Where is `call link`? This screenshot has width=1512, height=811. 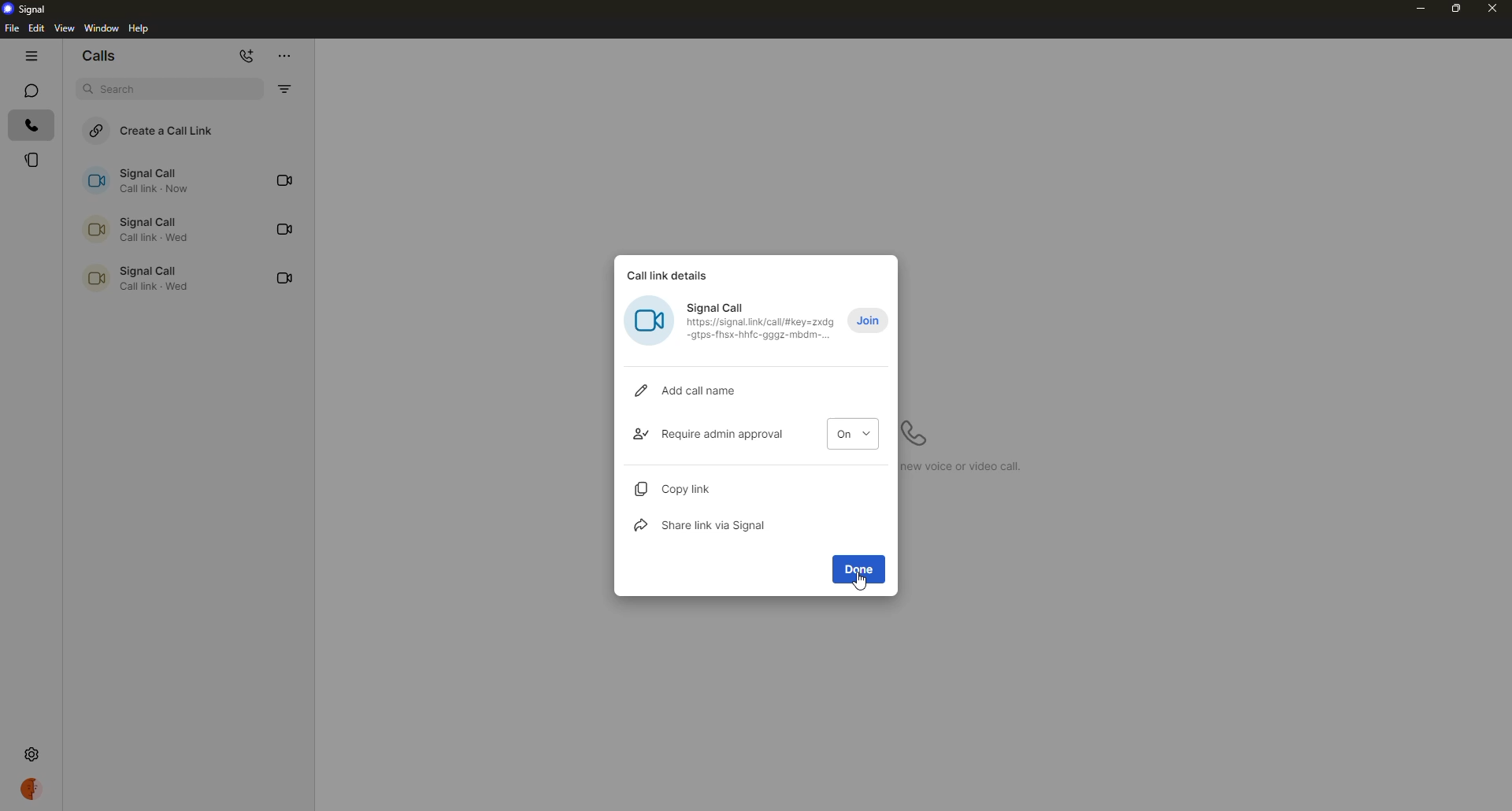 call link is located at coordinates (148, 229).